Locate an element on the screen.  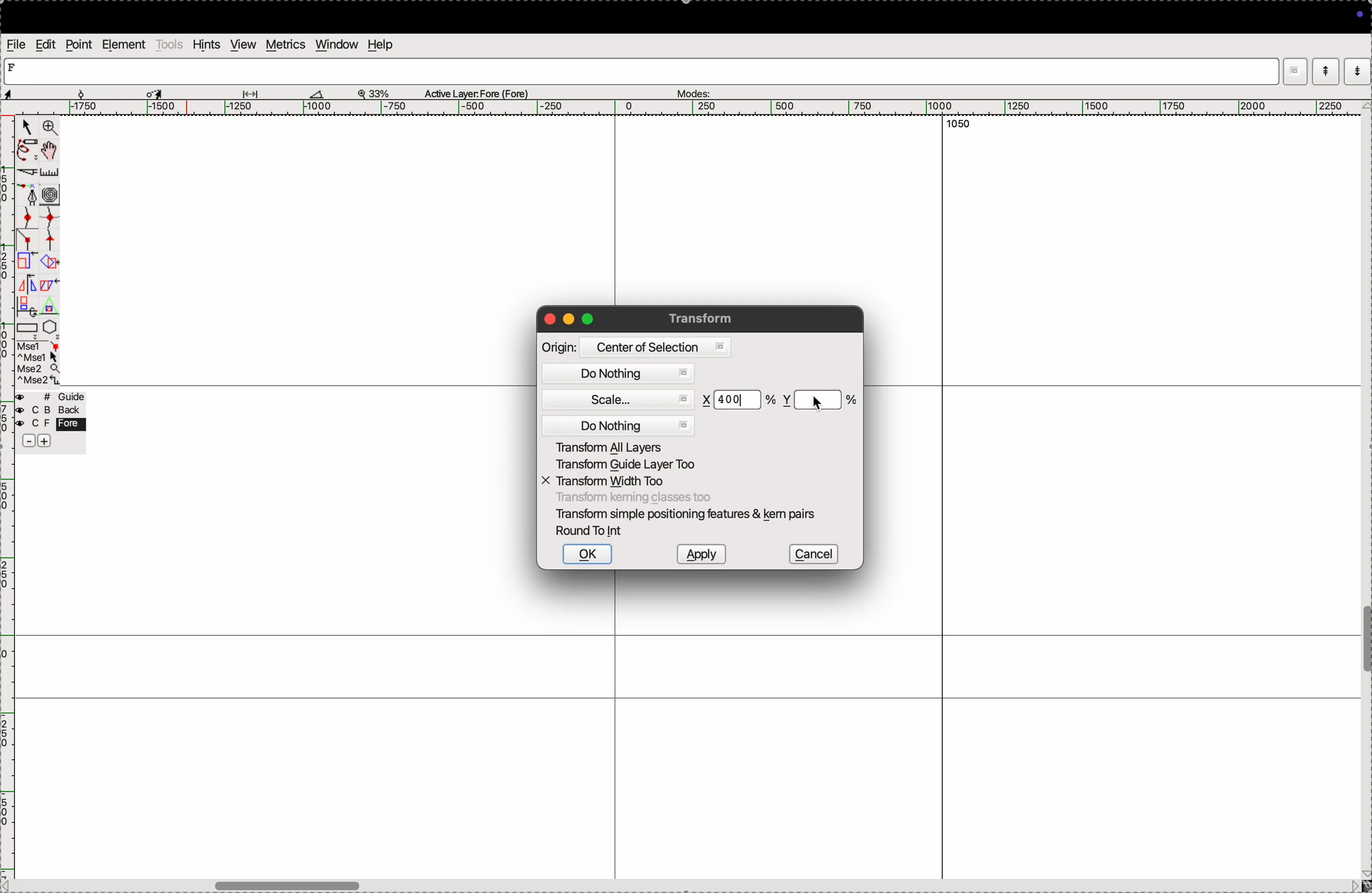
Triangle is located at coordinates (49, 306).